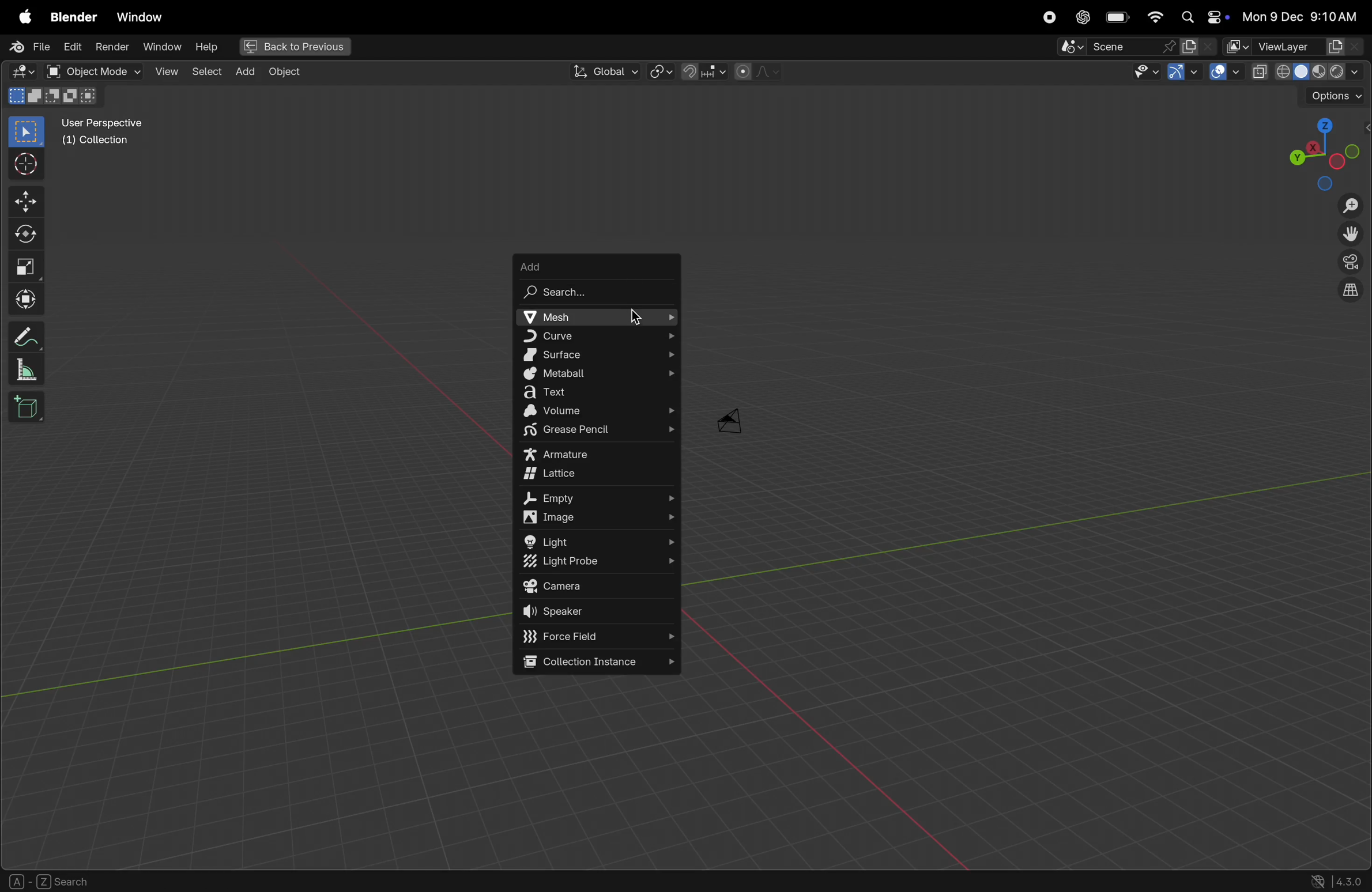 This screenshot has height=892, width=1372. I want to click on move the view, so click(1348, 235).